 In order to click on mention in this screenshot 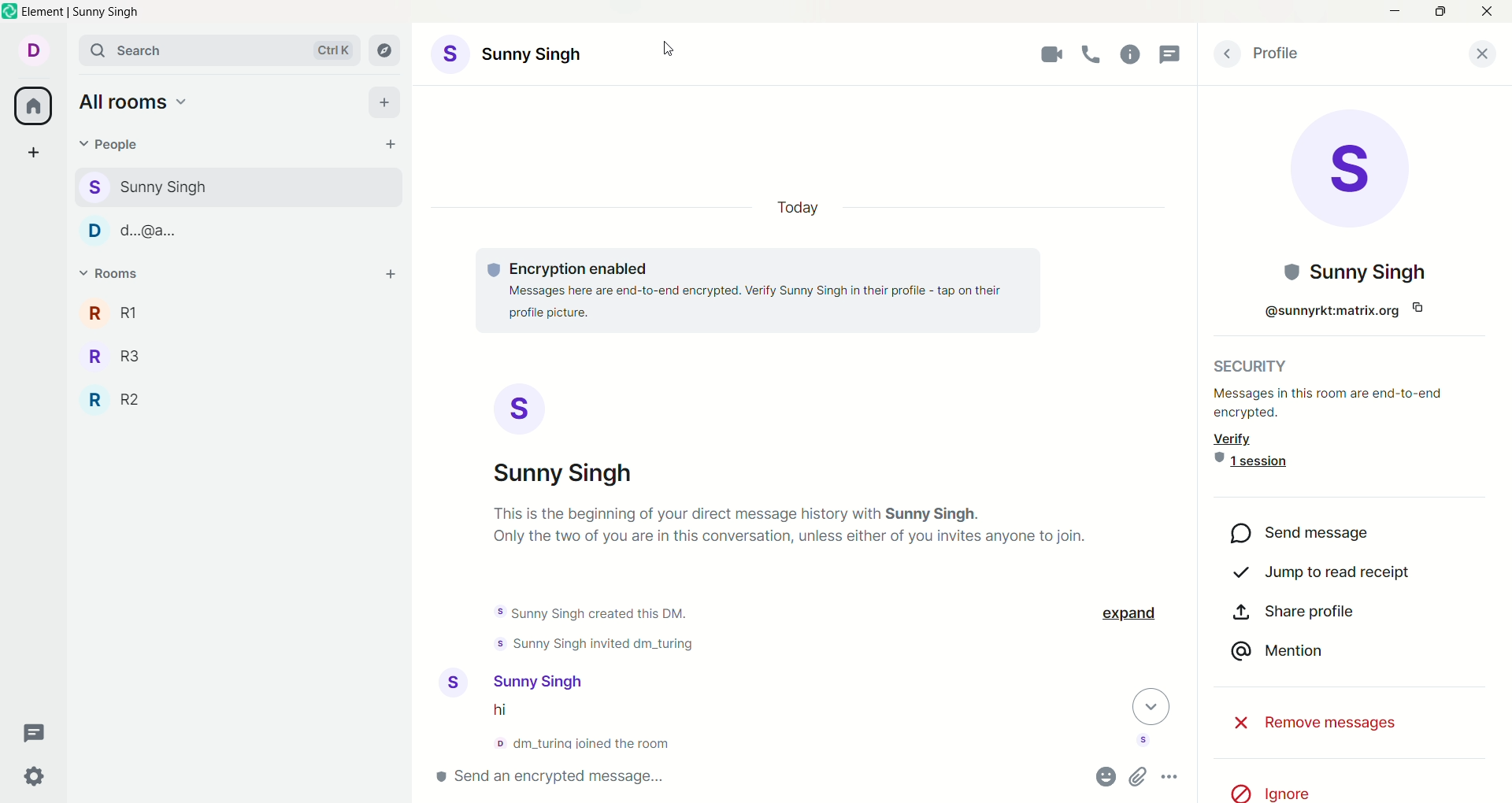, I will do `click(1277, 653)`.